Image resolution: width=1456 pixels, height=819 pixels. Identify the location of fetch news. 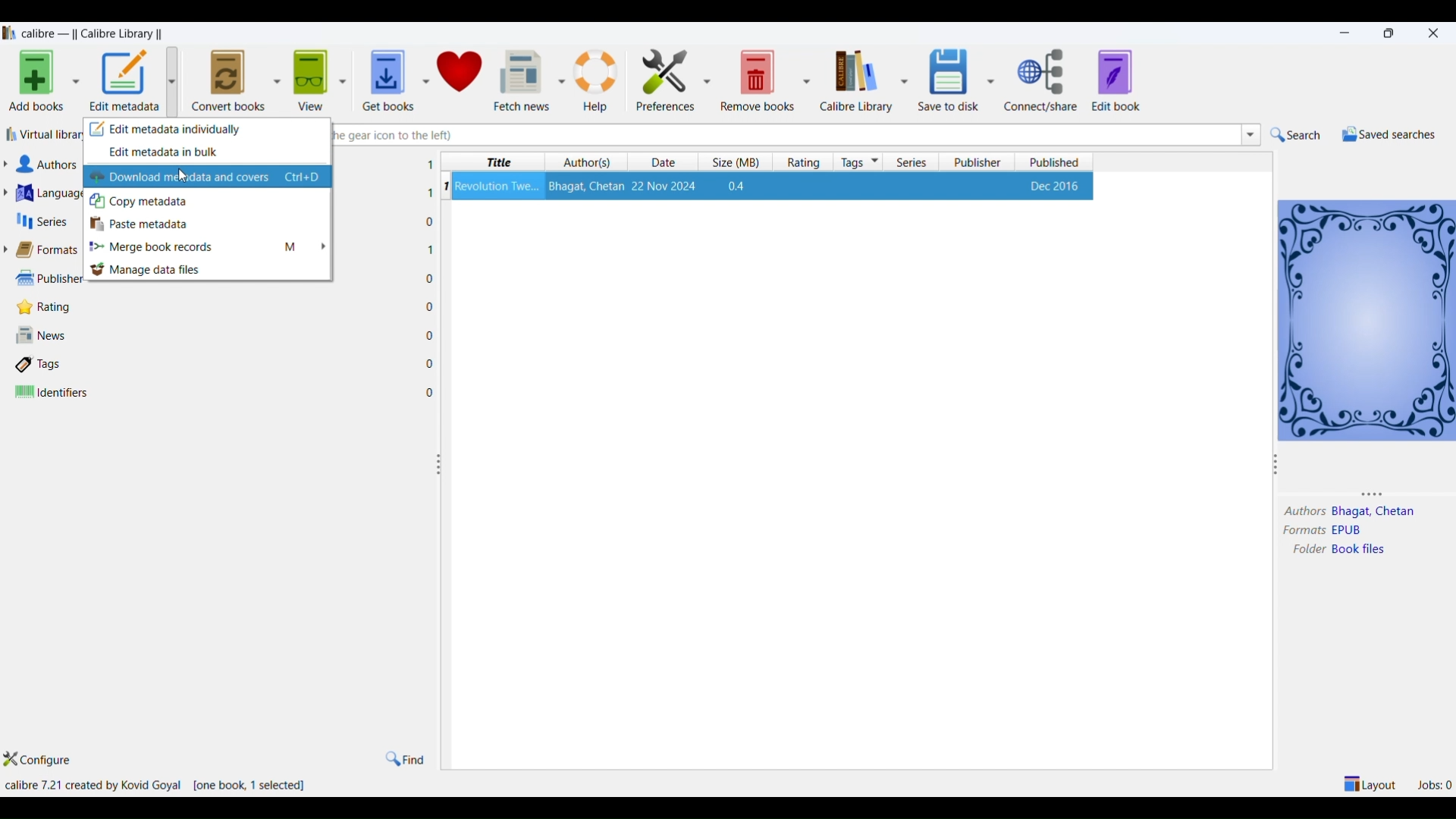
(522, 79).